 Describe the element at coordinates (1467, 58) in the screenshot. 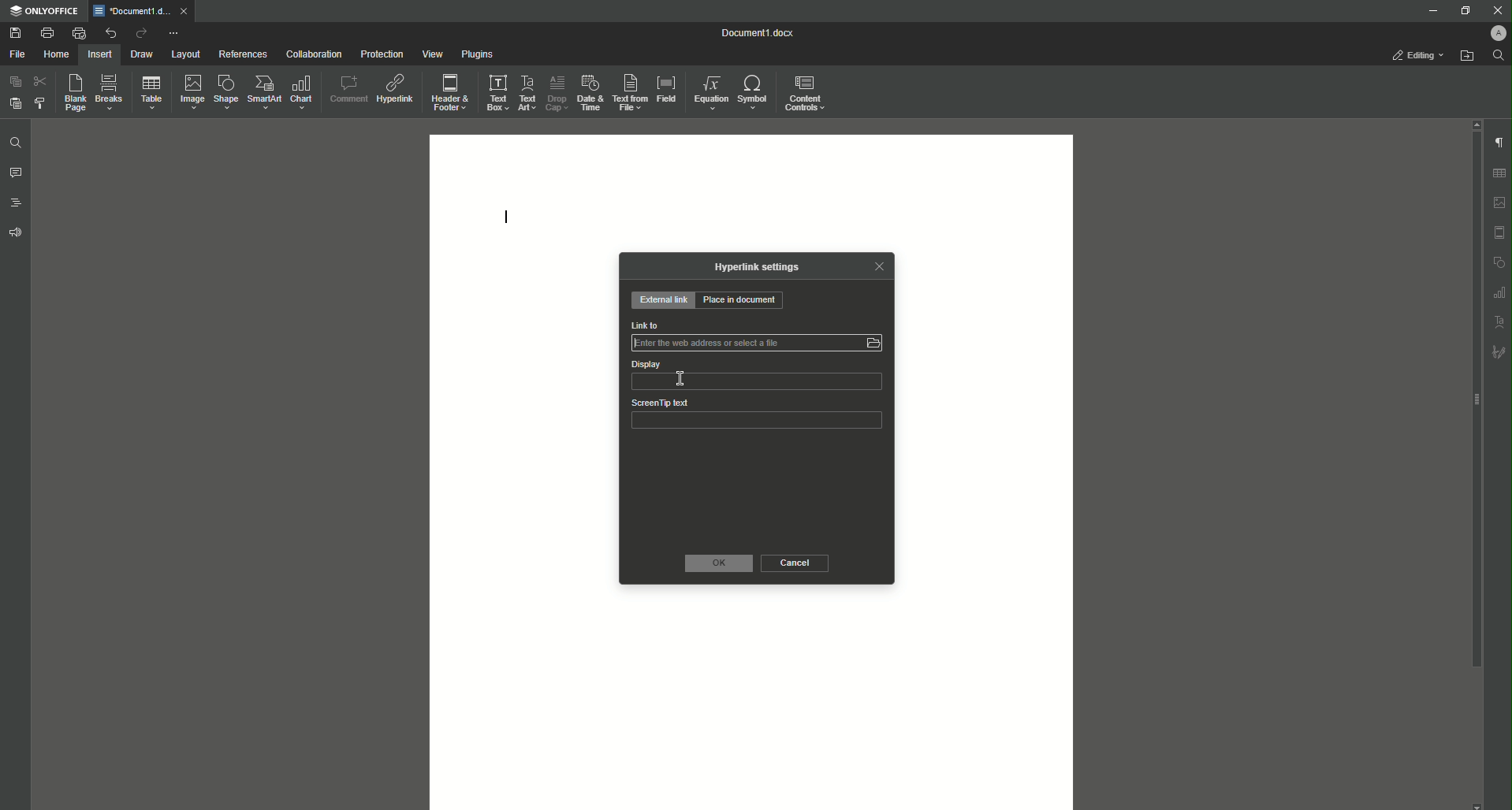

I see `Open From File` at that location.